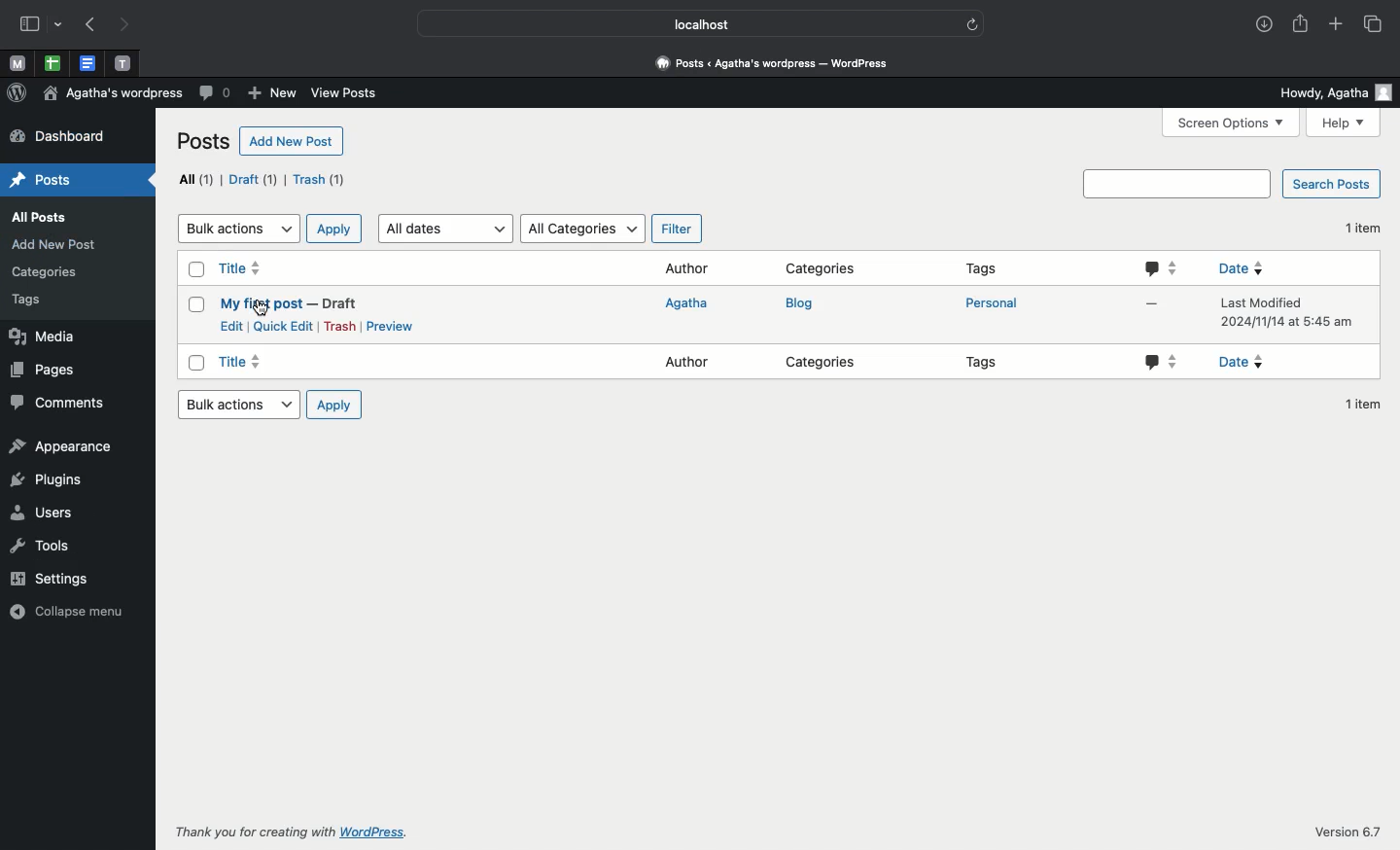 This screenshot has width=1400, height=850. Describe the element at coordinates (43, 546) in the screenshot. I see `Tools` at that location.